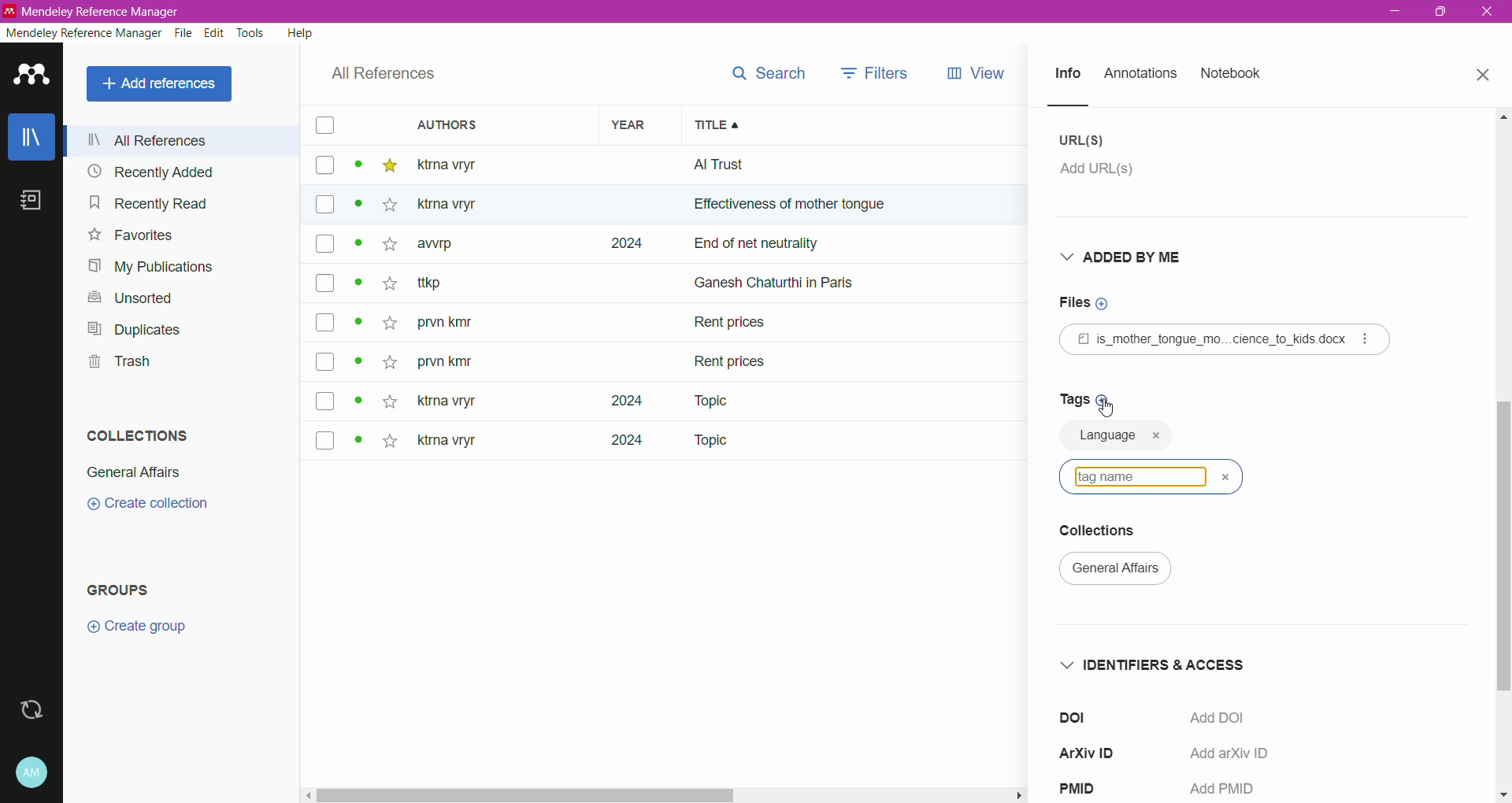 The height and width of the screenshot is (803, 1512). What do you see at coordinates (1159, 664) in the screenshot?
I see `Identifiers and Access` at bounding box center [1159, 664].